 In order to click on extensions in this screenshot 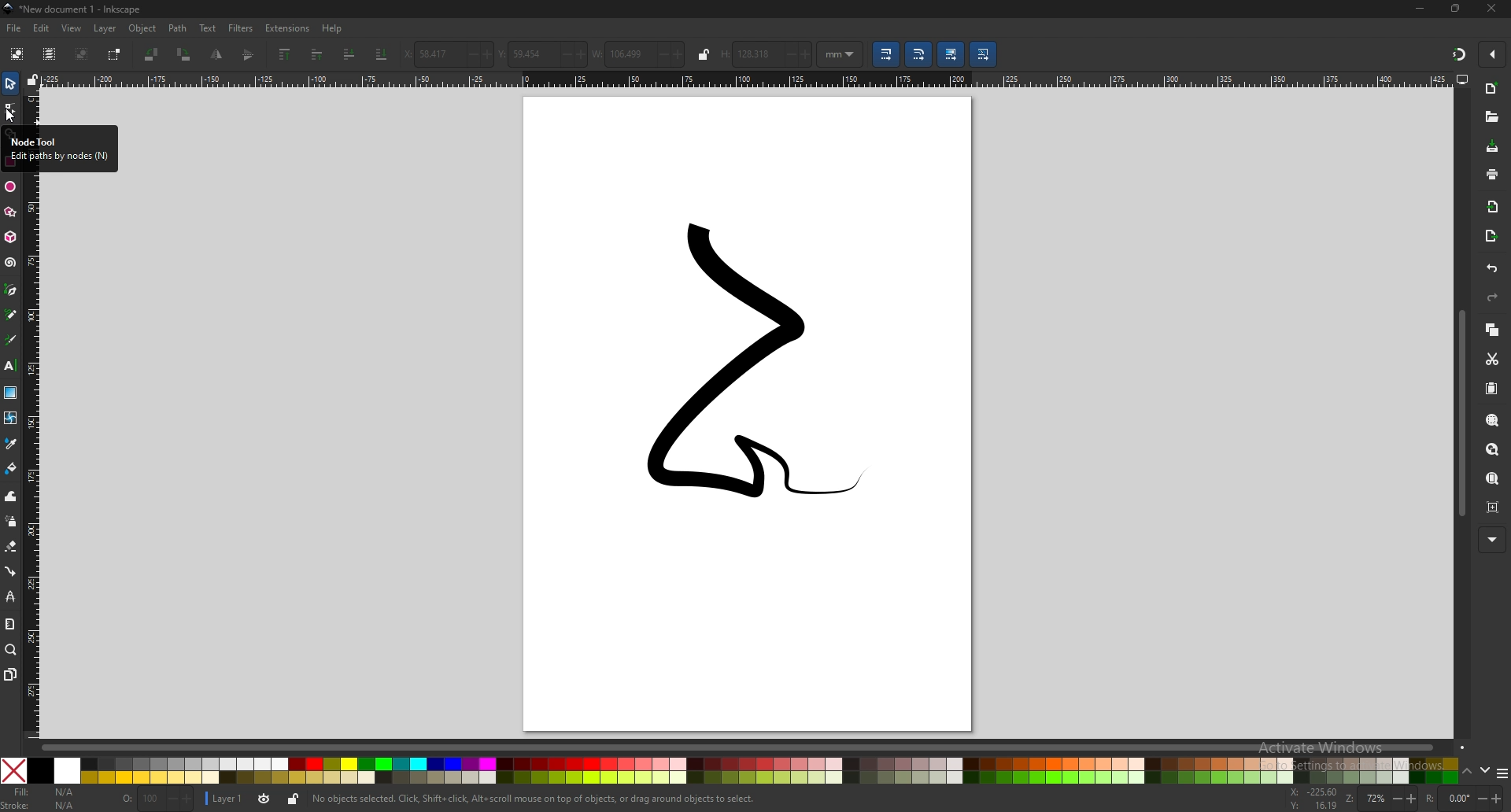, I will do `click(286, 28)`.